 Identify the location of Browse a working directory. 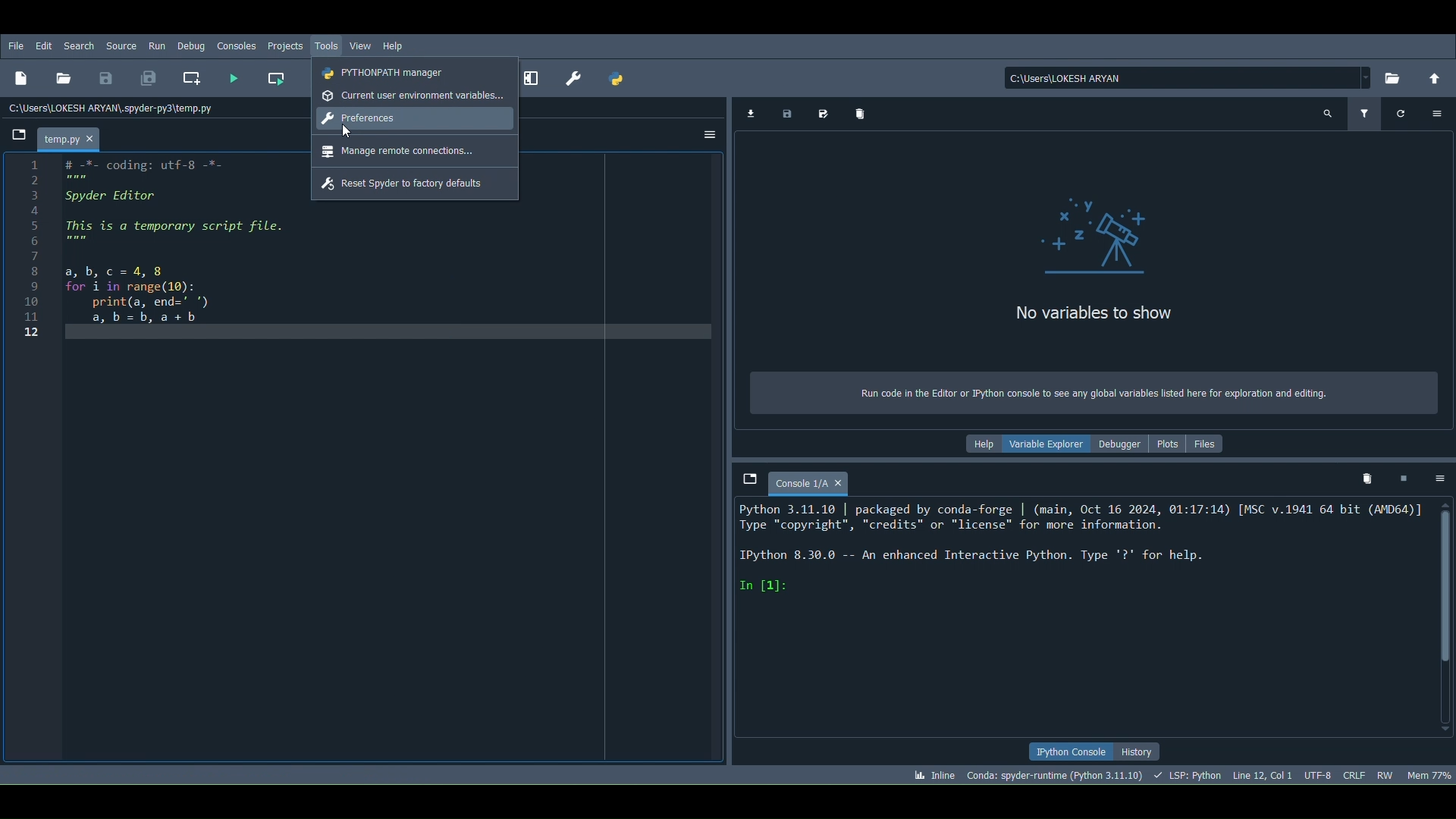
(1393, 74).